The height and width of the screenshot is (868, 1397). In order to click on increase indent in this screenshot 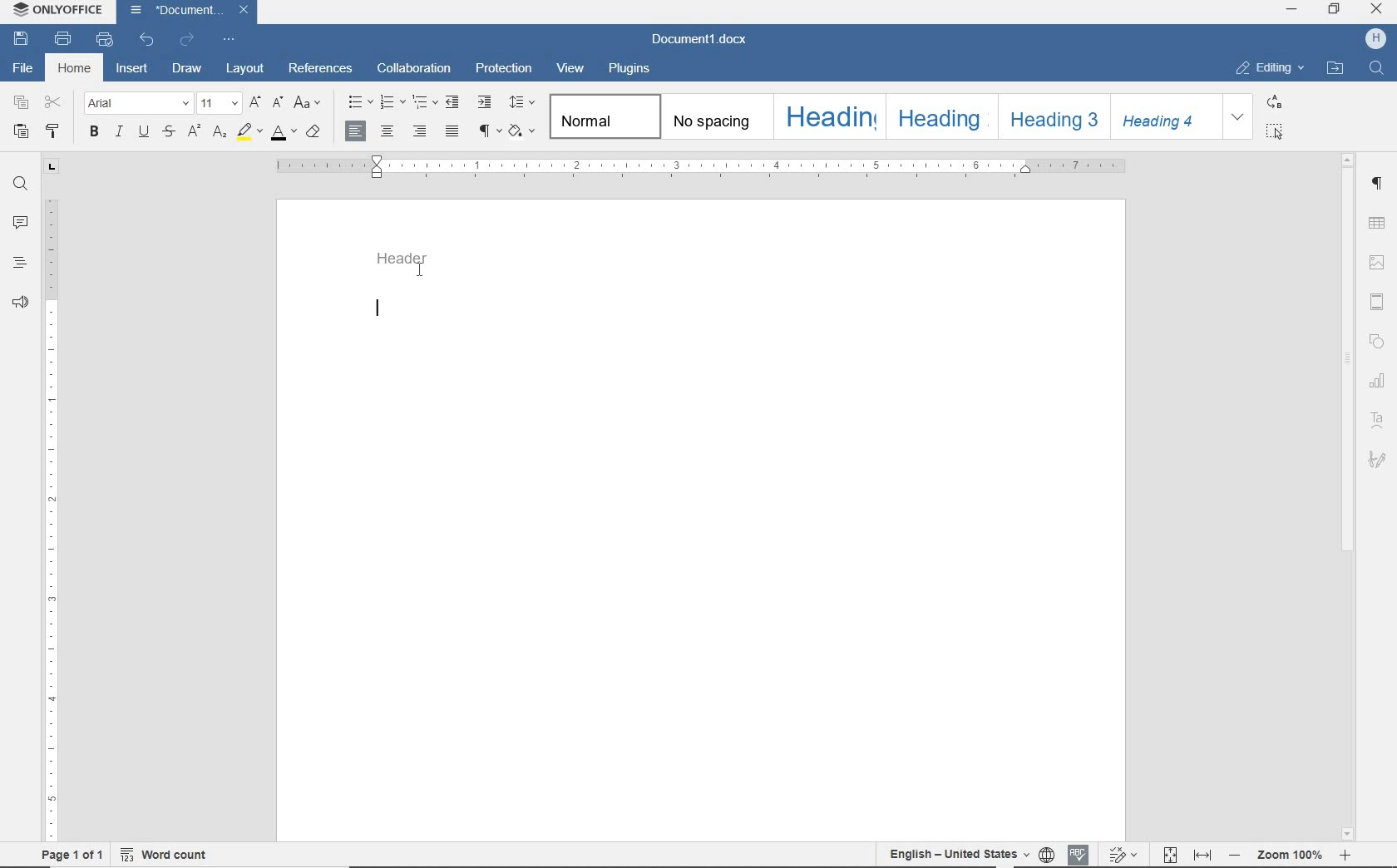, I will do `click(485, 101)`.